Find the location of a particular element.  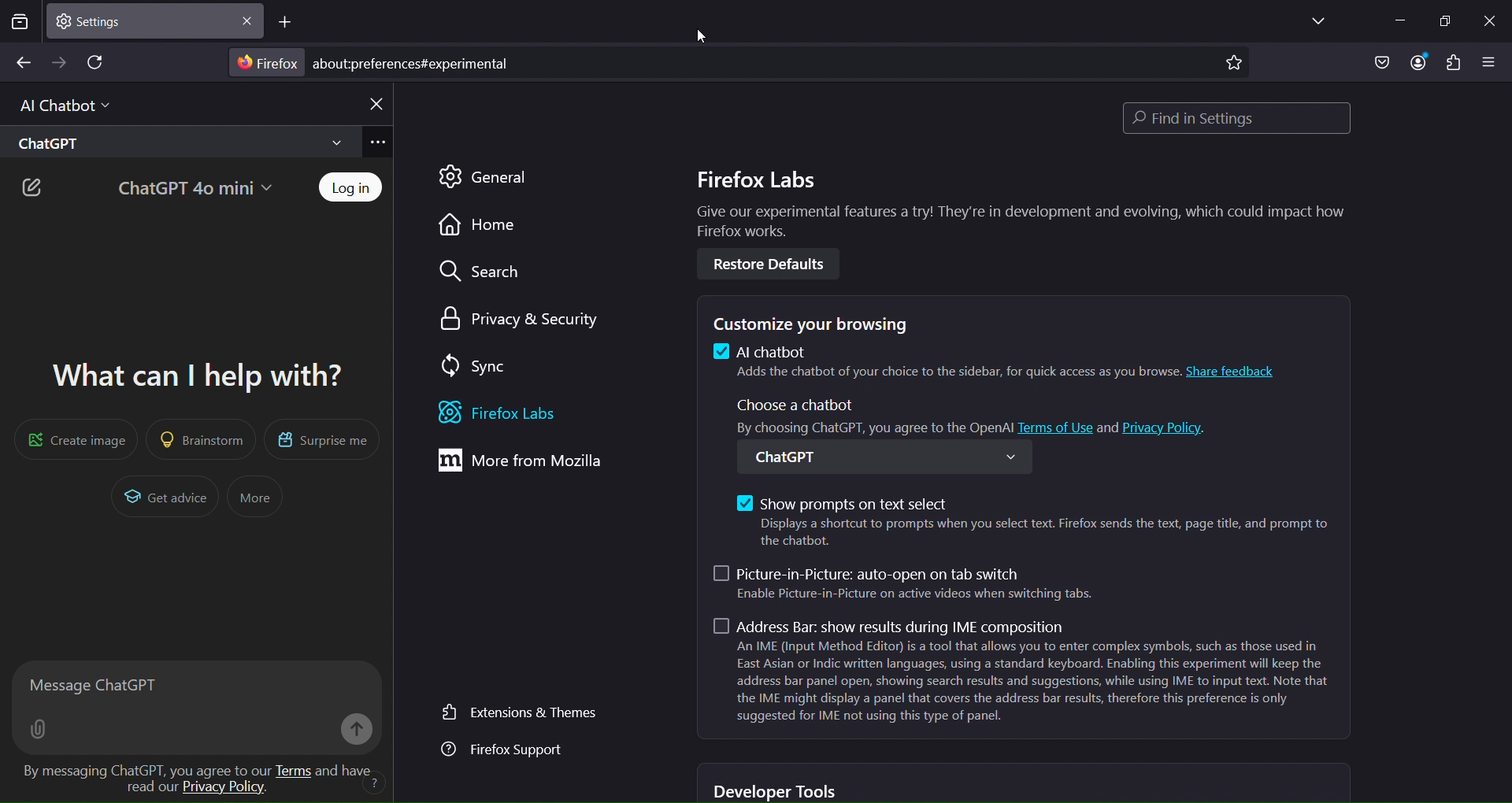

[J Picture-in-Picture: auto-open on tab switch
Enable Picture-in-Picture on active videos when switching tabs. is located at coordinates (909, 586).